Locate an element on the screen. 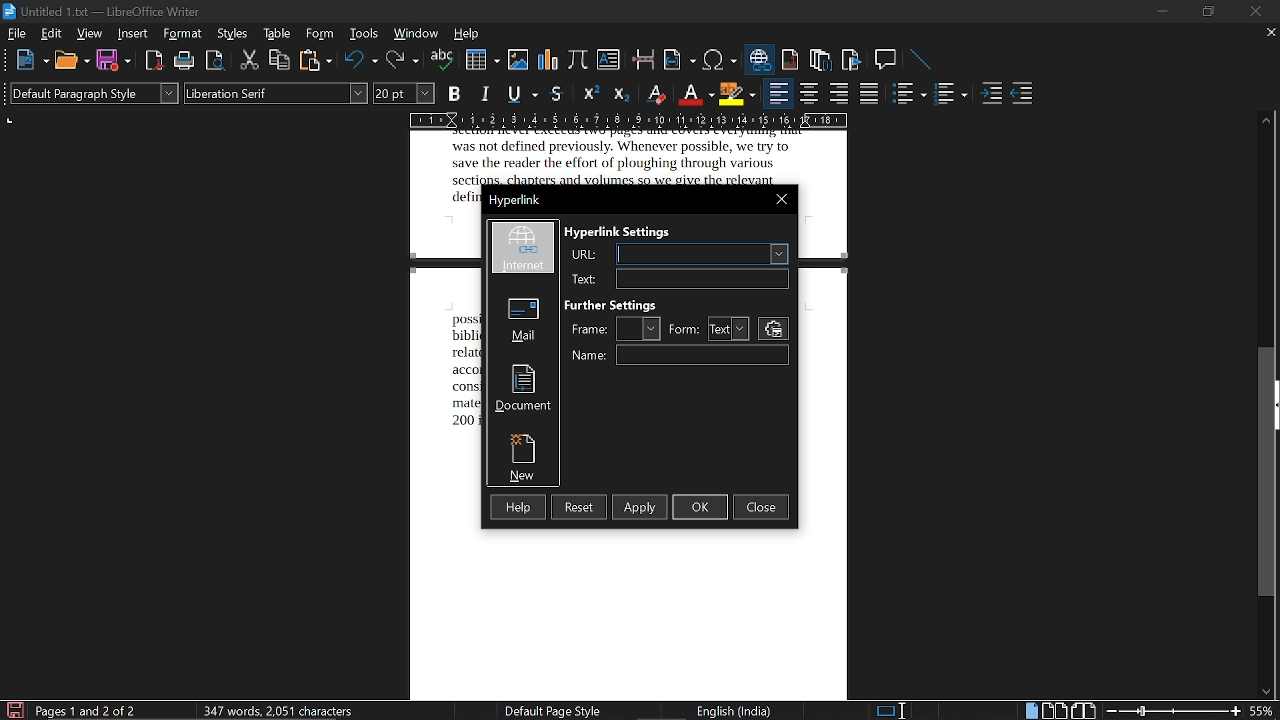 This screenshot has height=720, width=1280. vertical scrollbar is located at coordinates (1267, 474).